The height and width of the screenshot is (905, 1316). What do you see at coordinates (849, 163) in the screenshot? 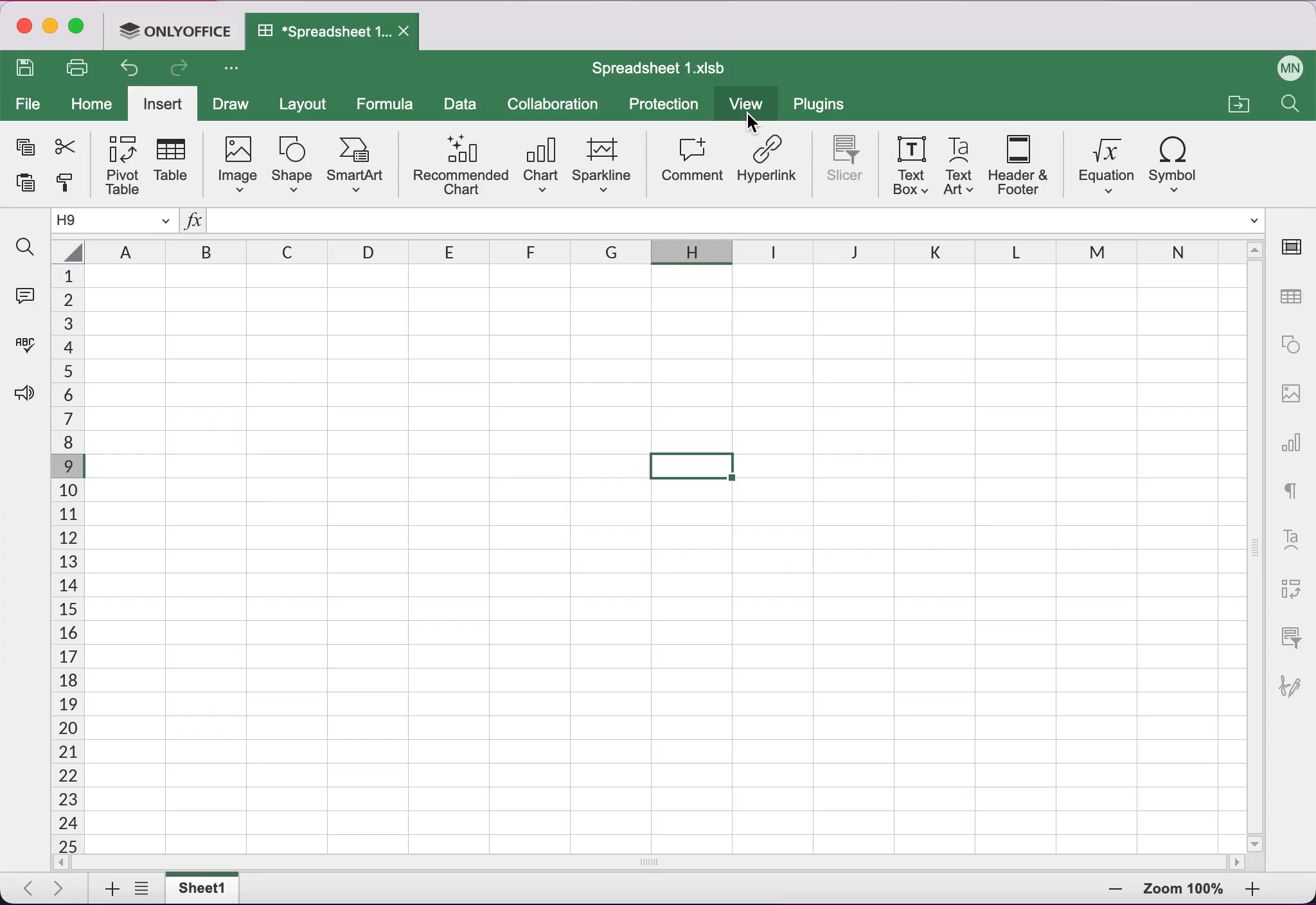
I see `slicer` at bounding box center [849, 163].